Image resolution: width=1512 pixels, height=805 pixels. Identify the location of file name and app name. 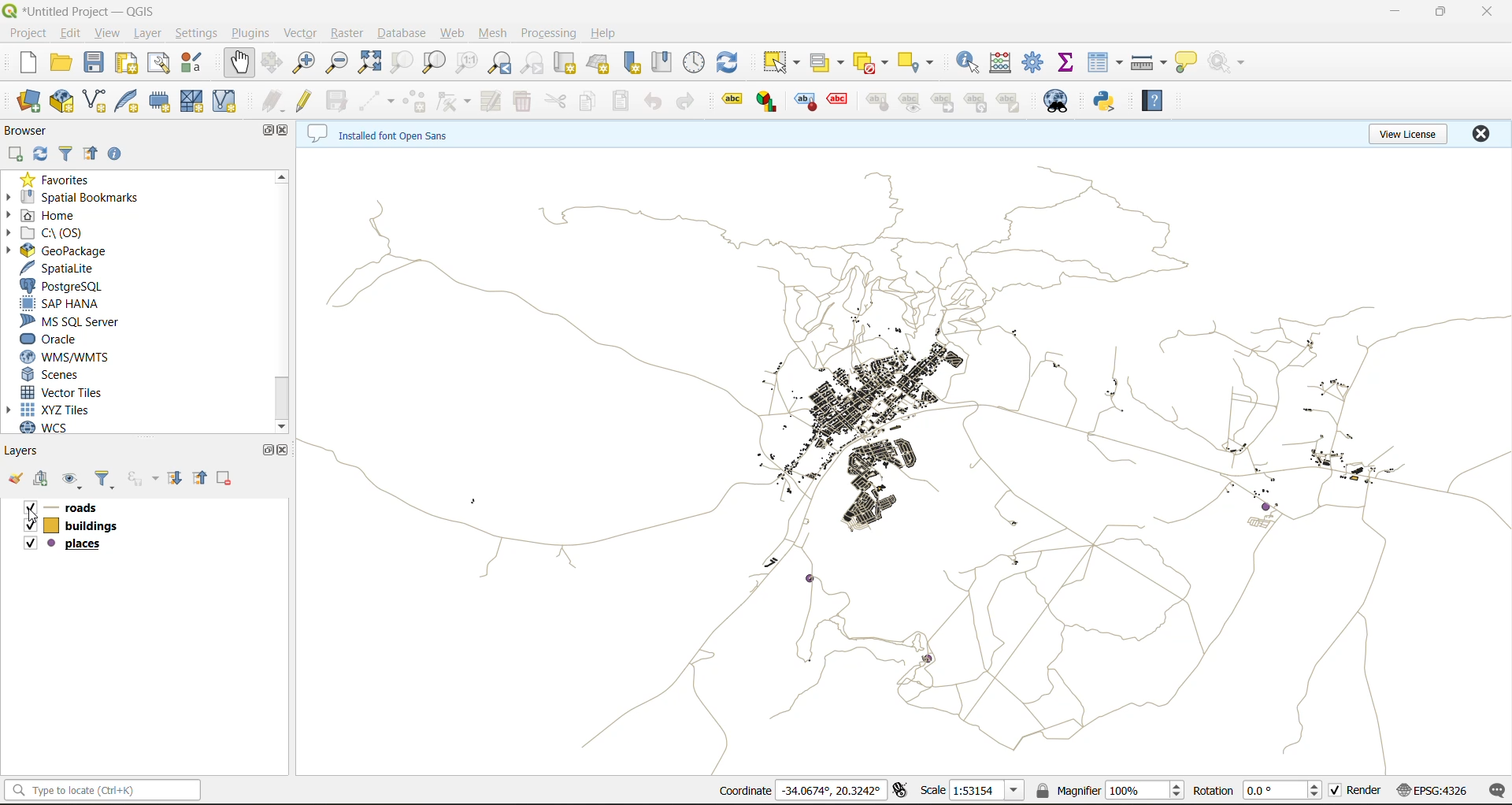
(79, 12).